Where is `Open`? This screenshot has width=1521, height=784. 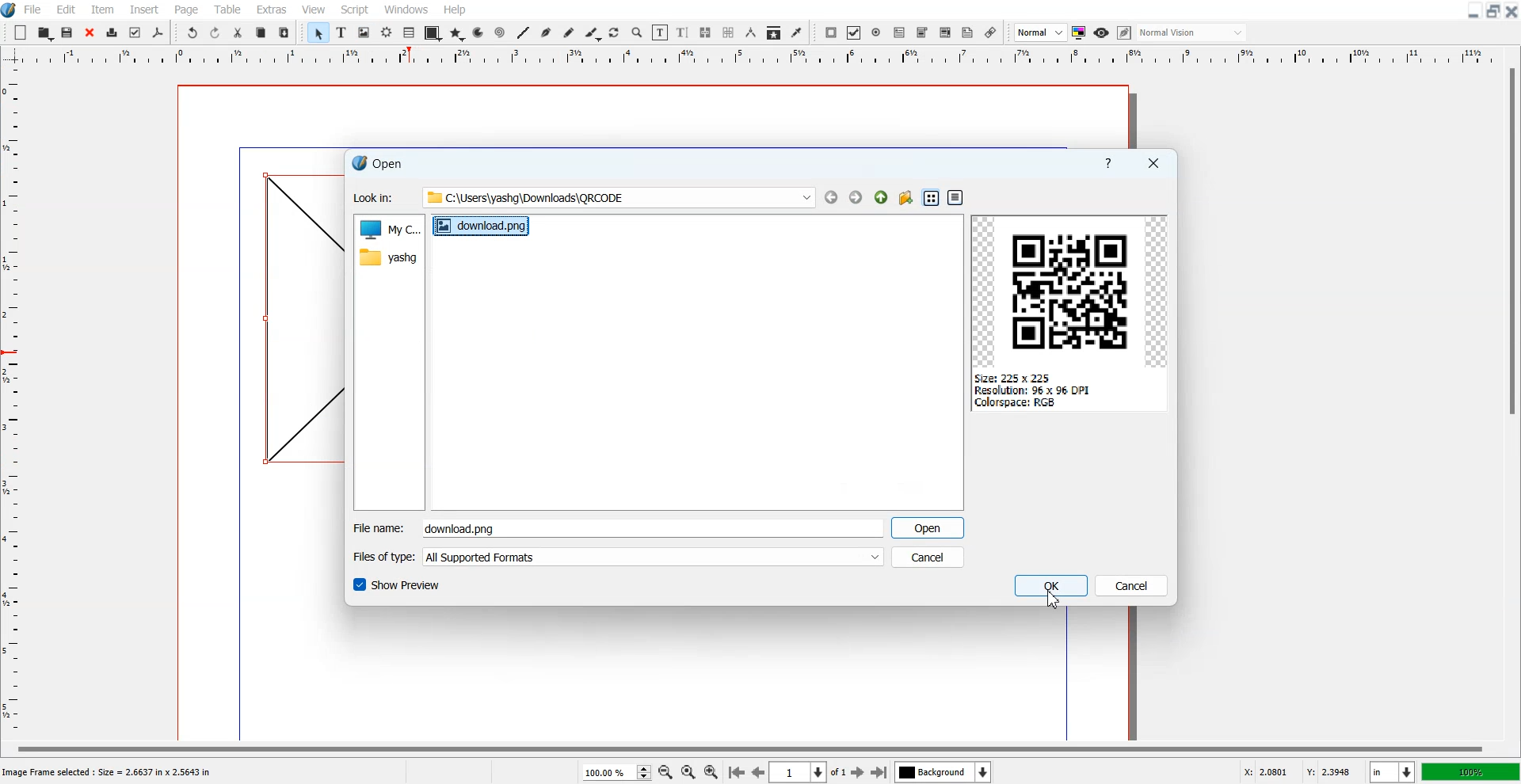
Open is located at coordinates (45, 32).